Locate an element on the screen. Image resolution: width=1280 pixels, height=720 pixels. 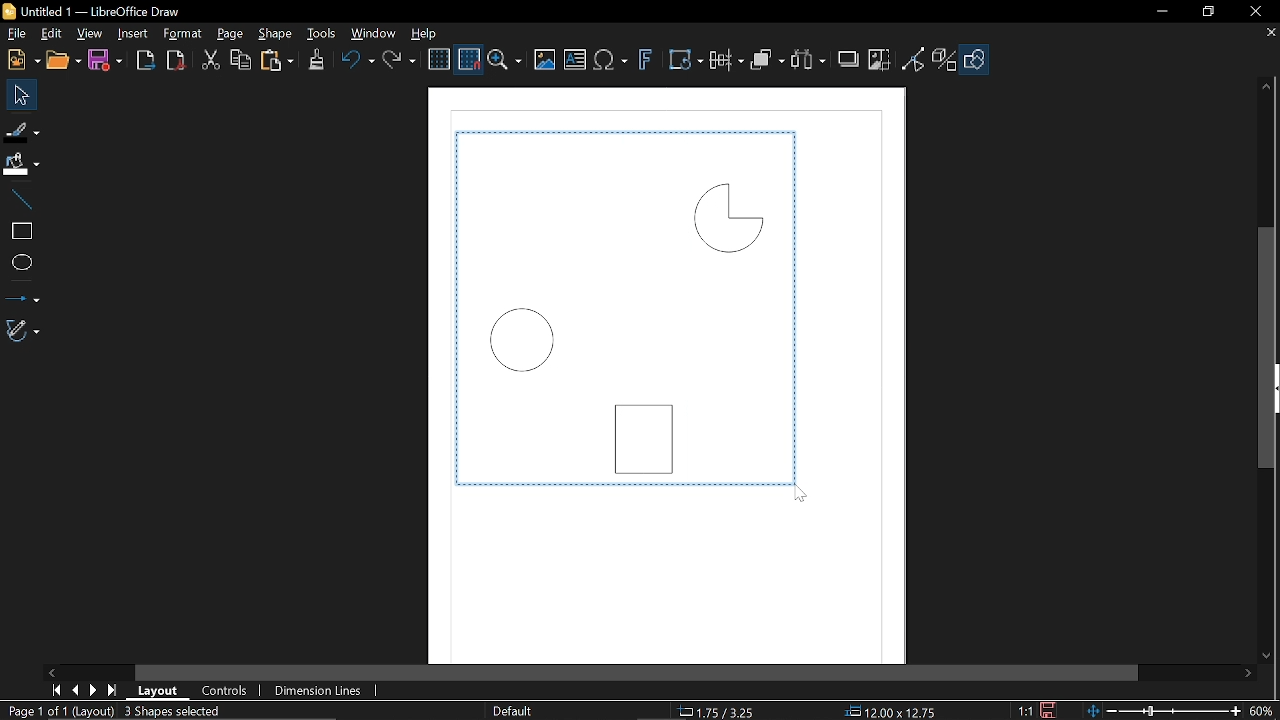
12.00x12.75 (object size) is located at coordinates (889, 712).